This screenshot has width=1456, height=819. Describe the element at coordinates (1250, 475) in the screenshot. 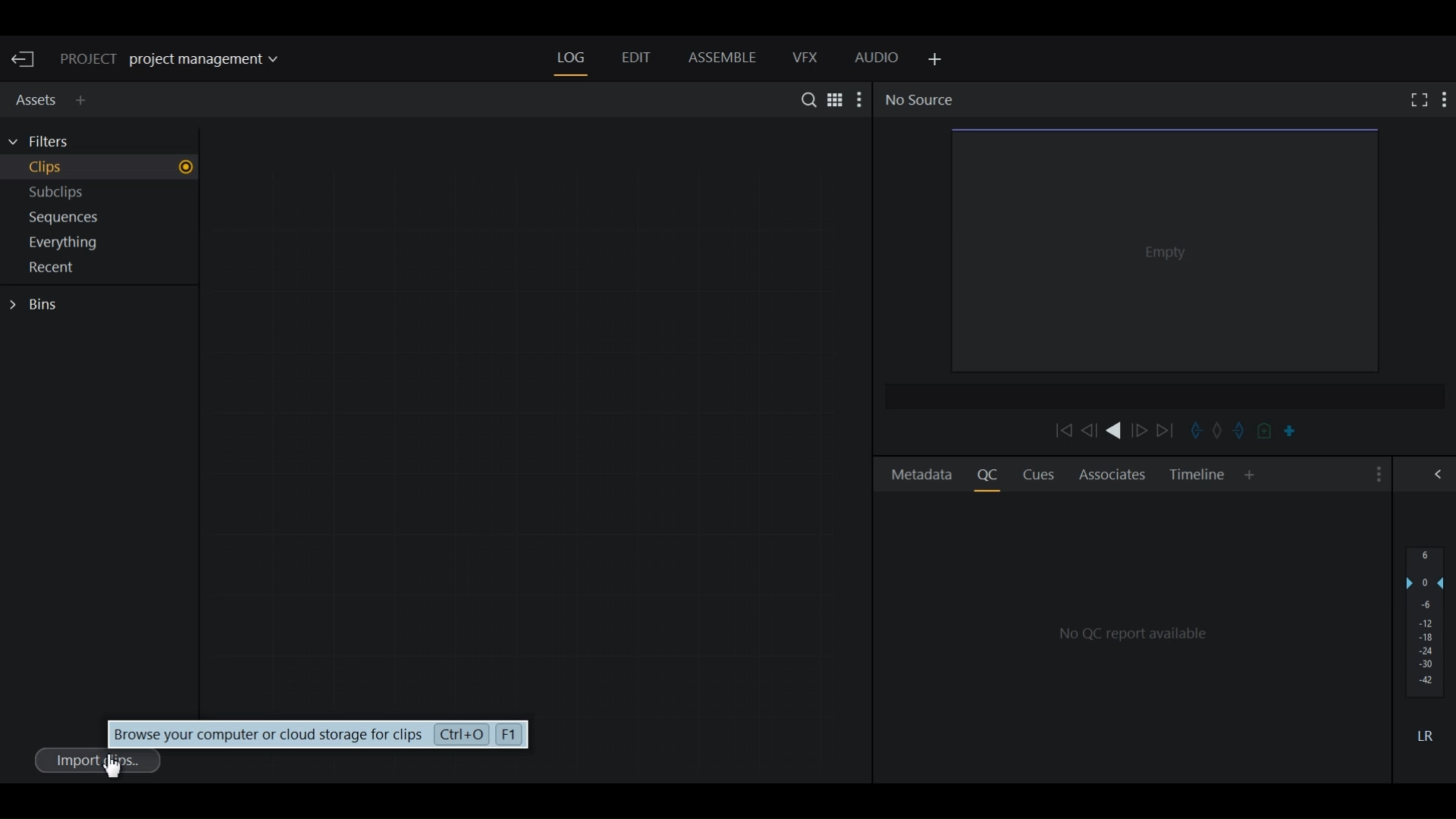

I see `Add Panel` at that location.